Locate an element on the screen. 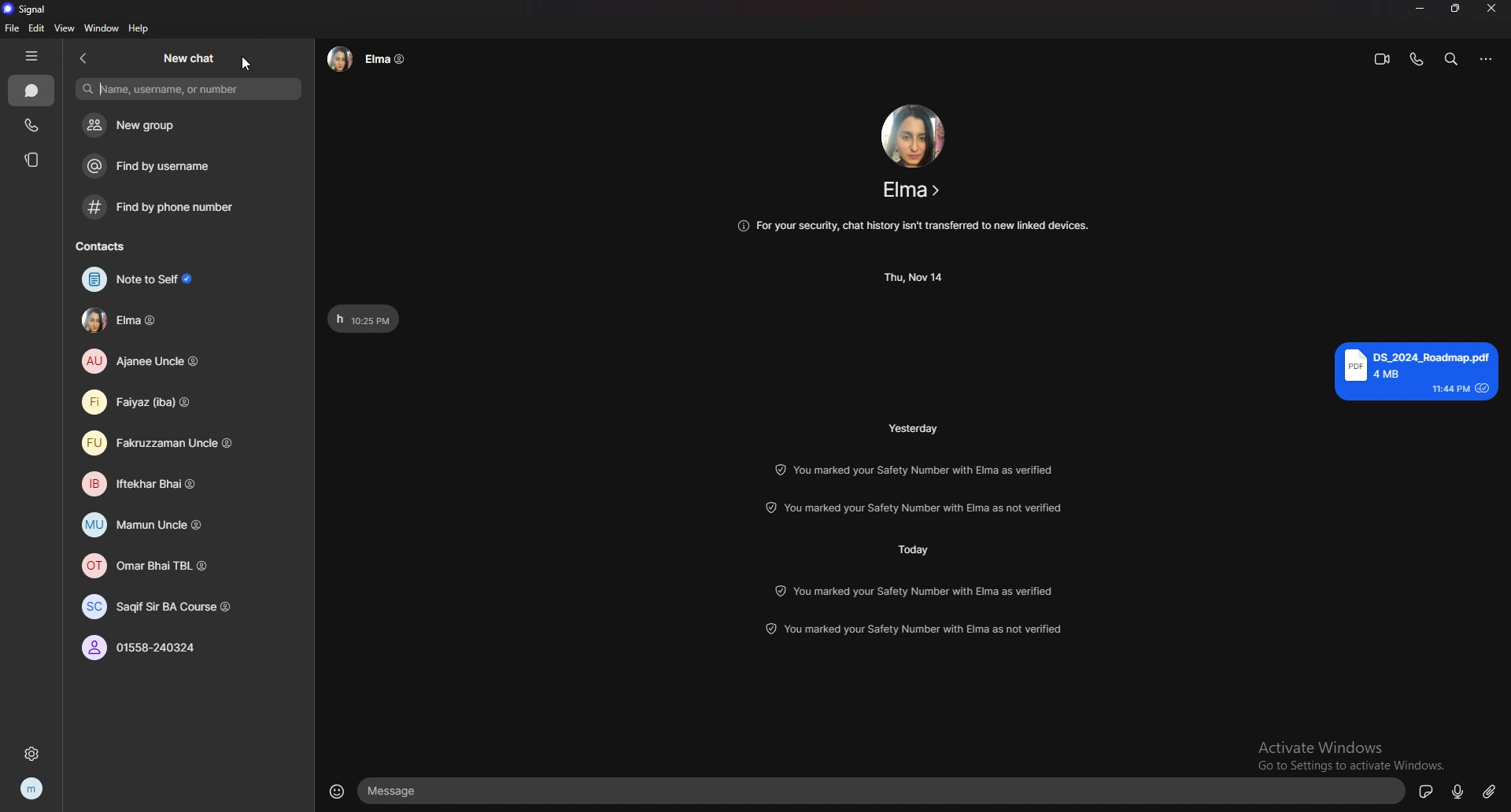 The height and width of the screenshot is (812, 1511). edit is located at coordinates (37, 29).